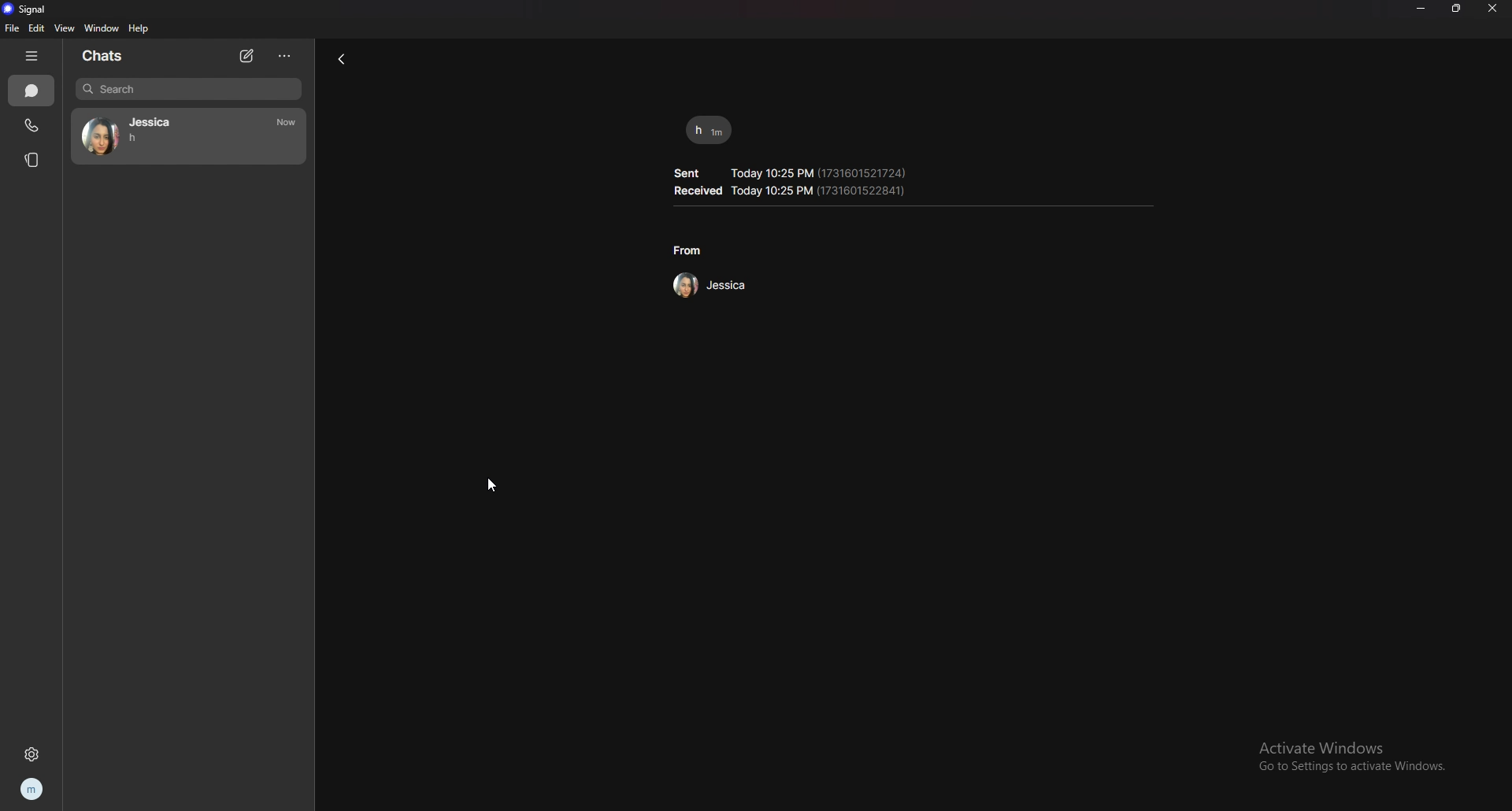 The image size is (1512, 811). I want to click on jessica, so click(191, 137).